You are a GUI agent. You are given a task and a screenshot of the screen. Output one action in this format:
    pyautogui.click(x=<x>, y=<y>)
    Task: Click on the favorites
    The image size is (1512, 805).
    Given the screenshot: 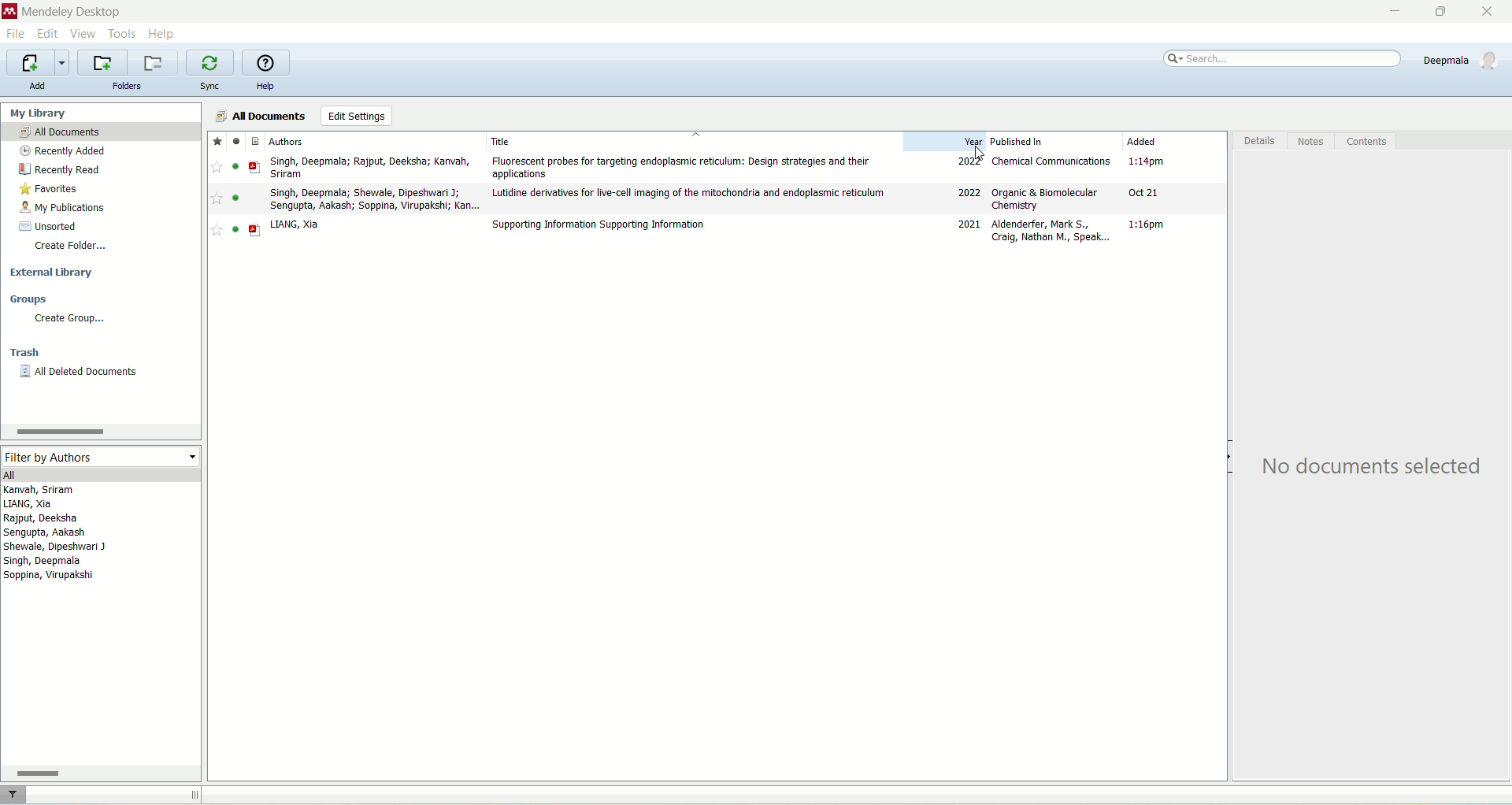 What is the action you would take?
    pyautogui.click(x=49, y=189)
    